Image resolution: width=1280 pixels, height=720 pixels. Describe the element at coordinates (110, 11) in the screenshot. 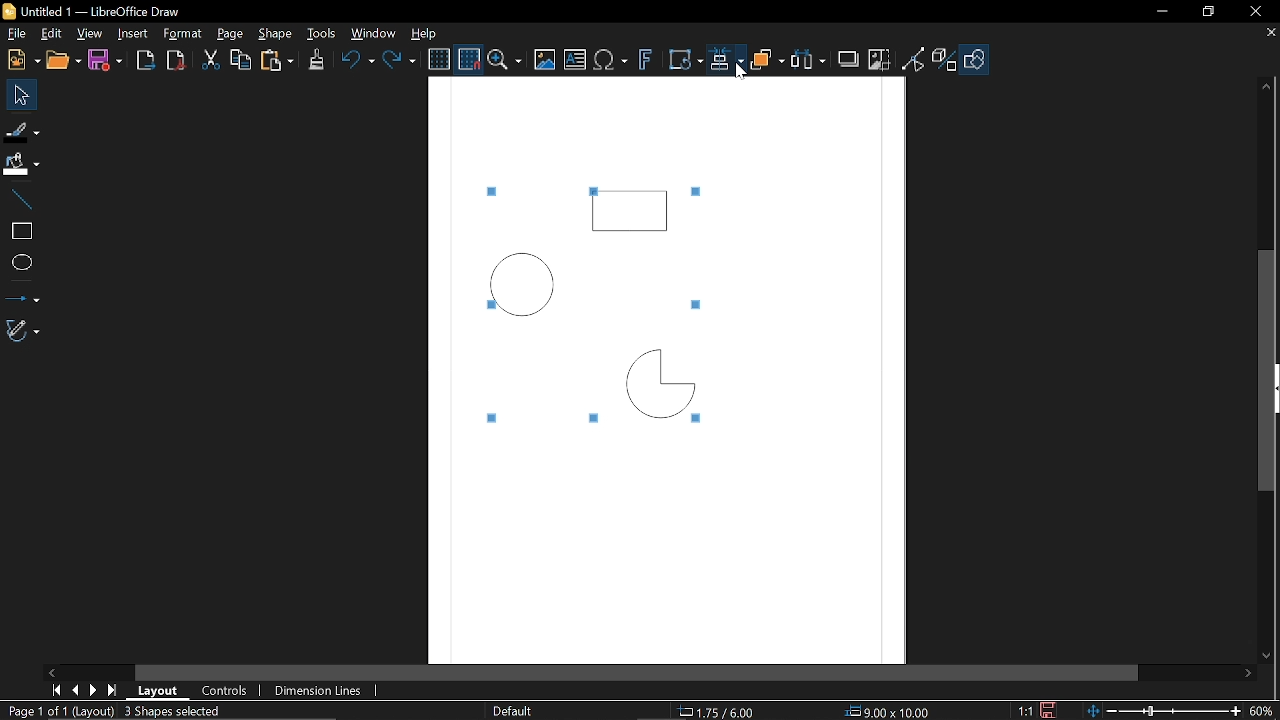

I see `B Untitled 1 — LibreOffice Draw` at that location.